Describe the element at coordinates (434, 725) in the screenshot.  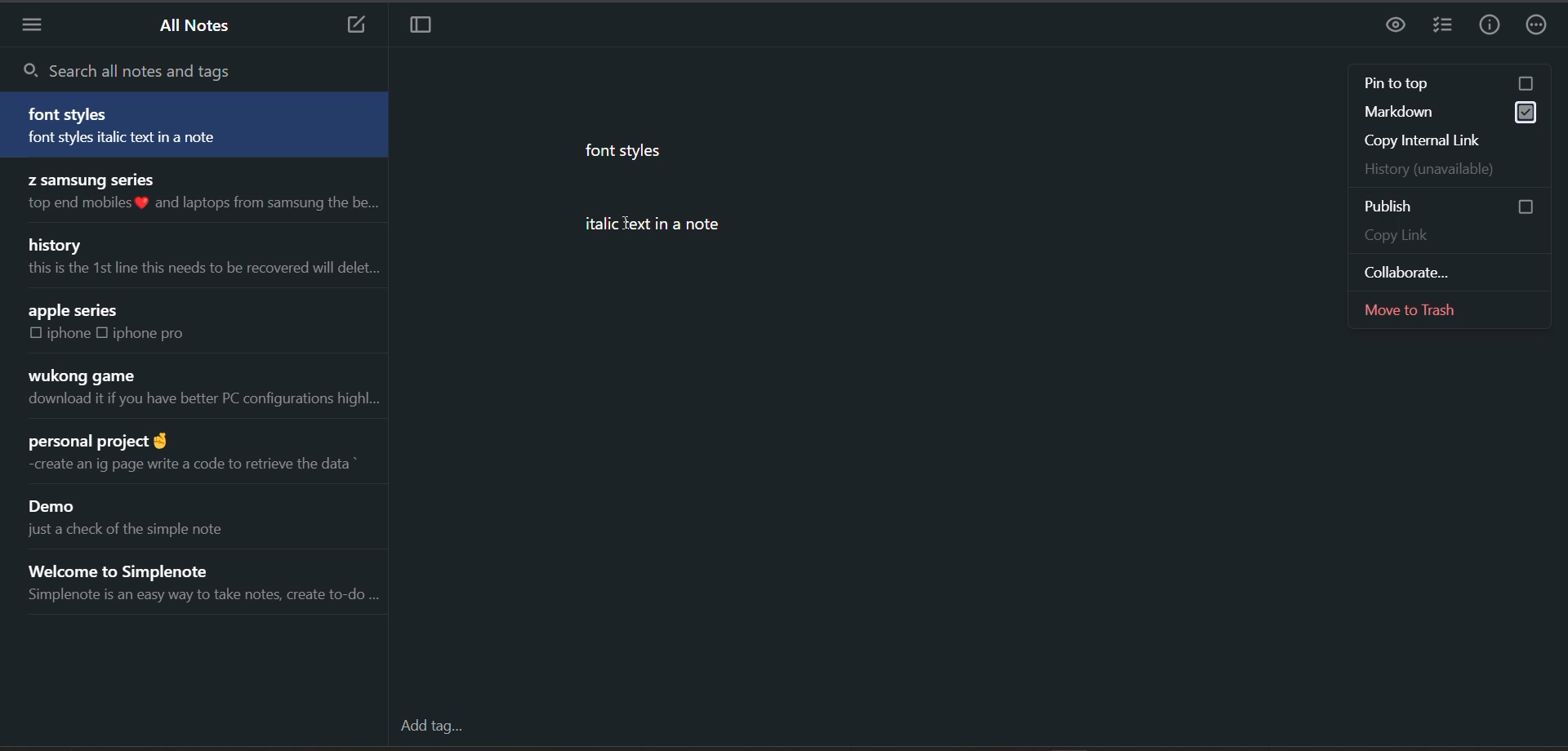
I see `add tag` at that location.